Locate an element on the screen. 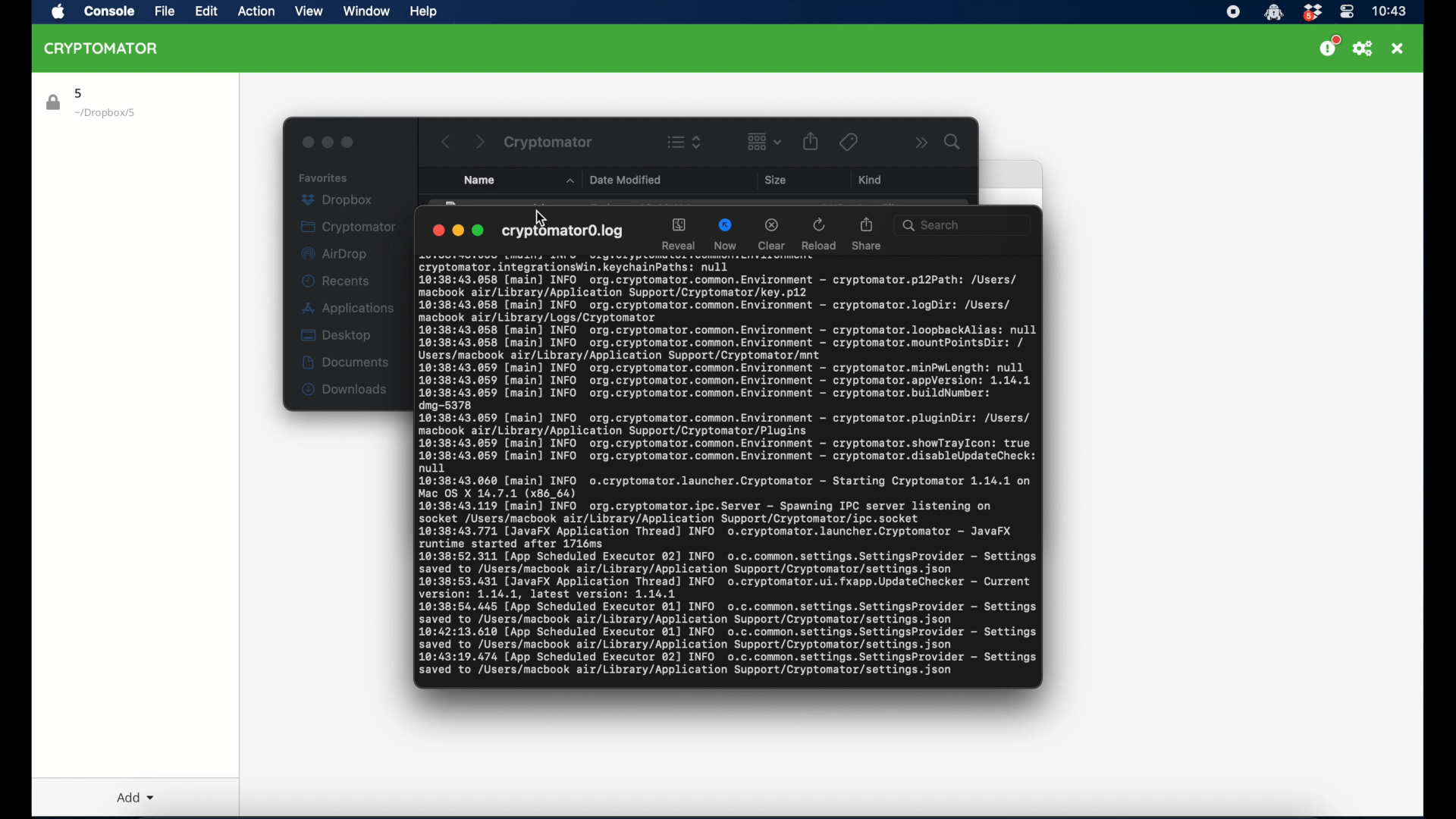 The width and height of the screenshot is (1456, 819). share is located at coordinates (811, 142).